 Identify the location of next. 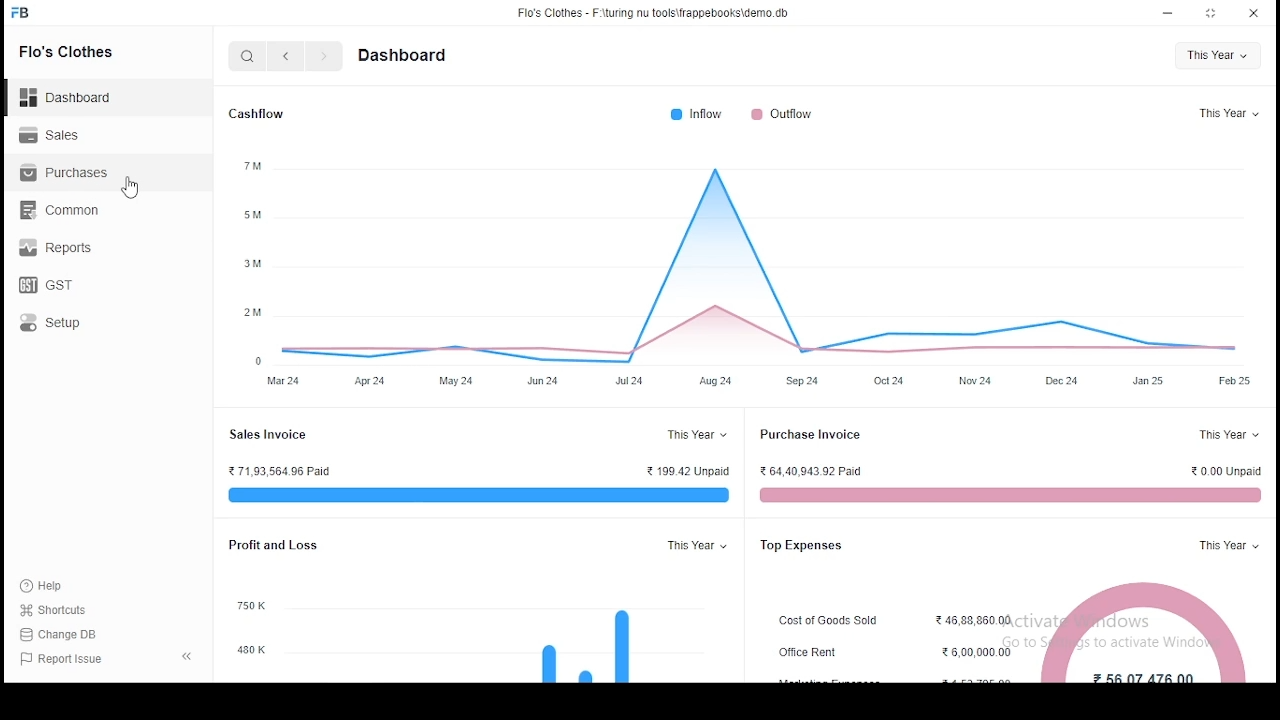
(324, 58).